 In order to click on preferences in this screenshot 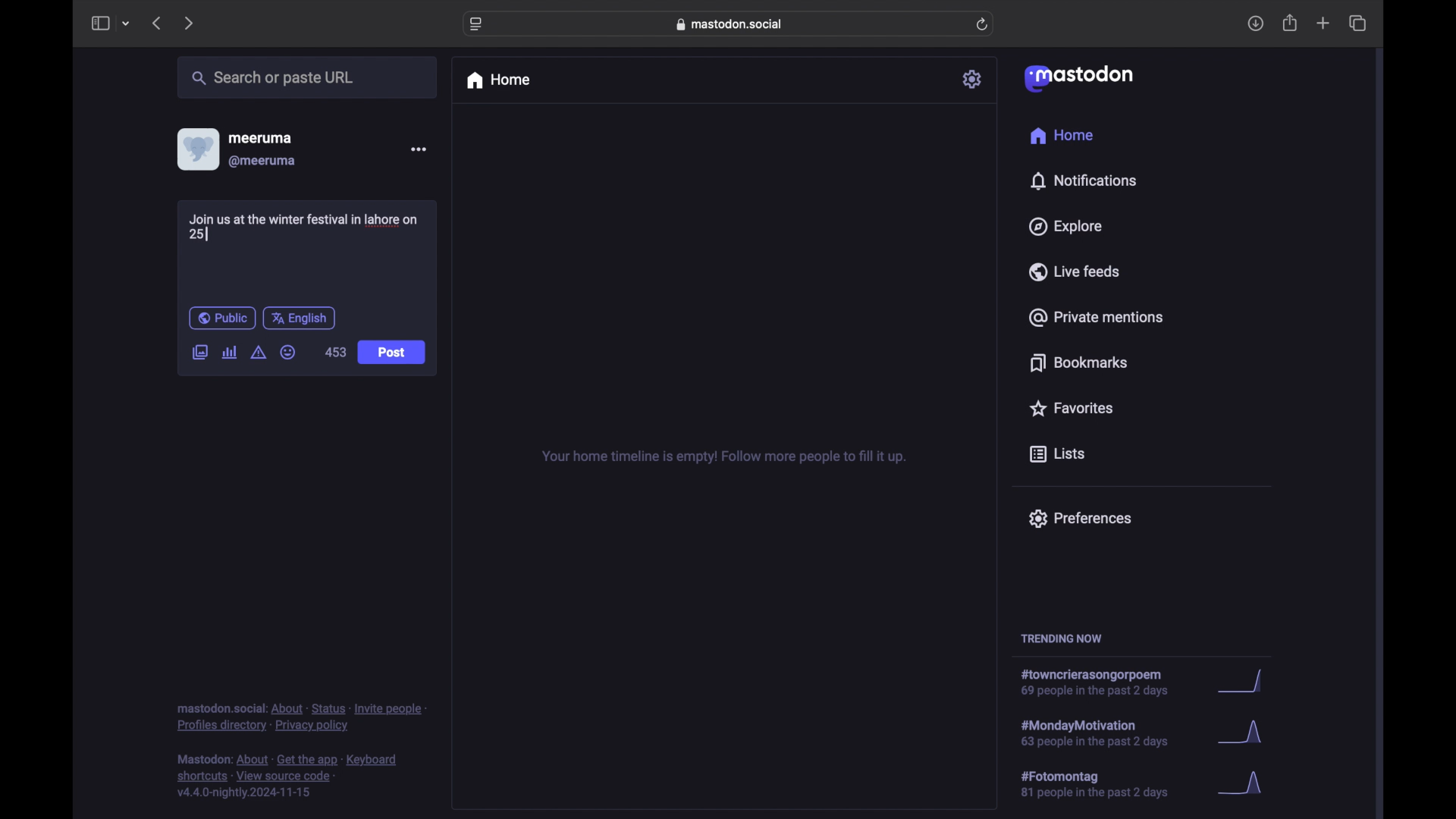, I will do `click(1079, 517)`.